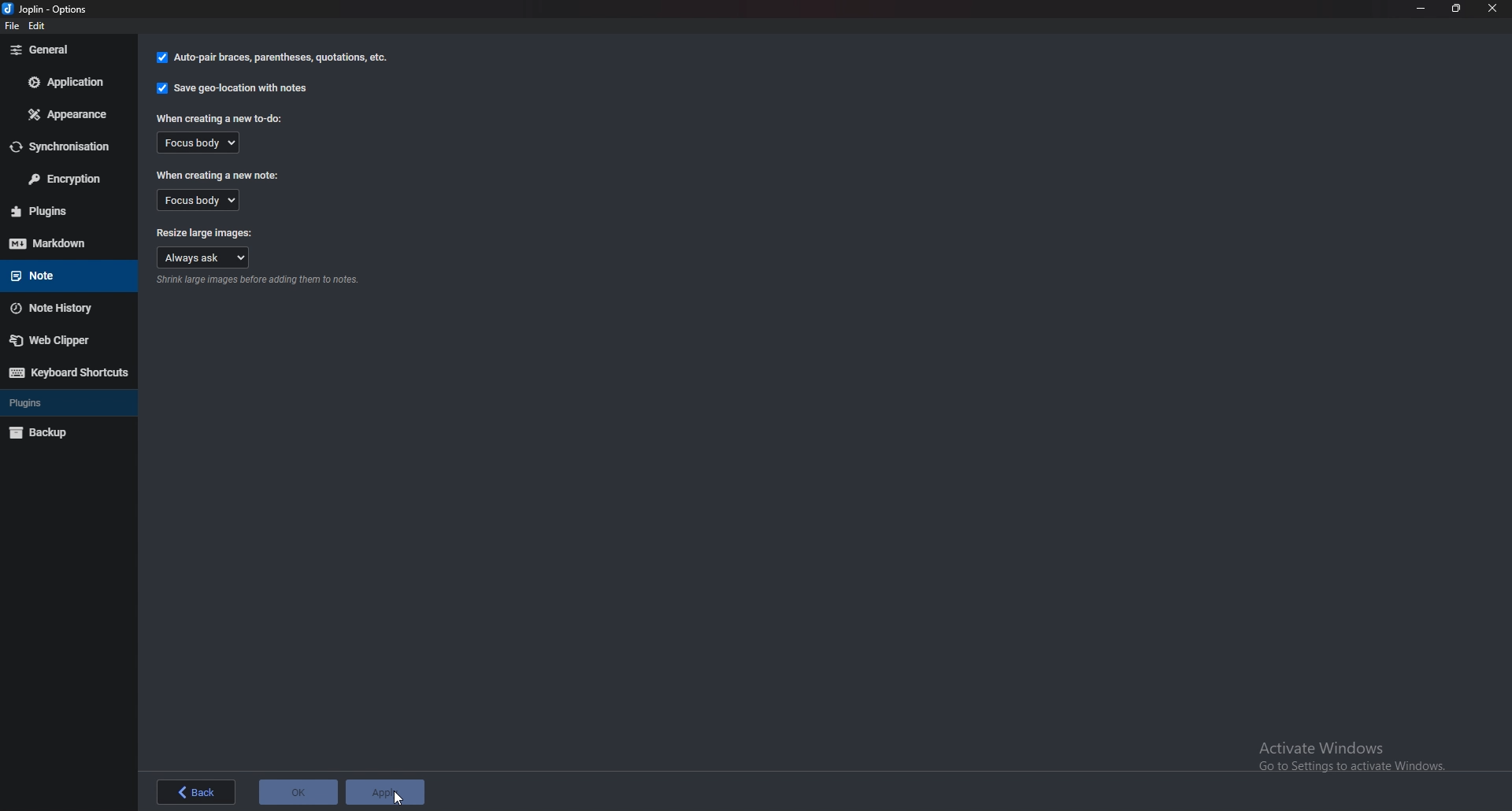 This screenshot has width=1512, height=811. I want to click on Encryption, so click(66, 180).